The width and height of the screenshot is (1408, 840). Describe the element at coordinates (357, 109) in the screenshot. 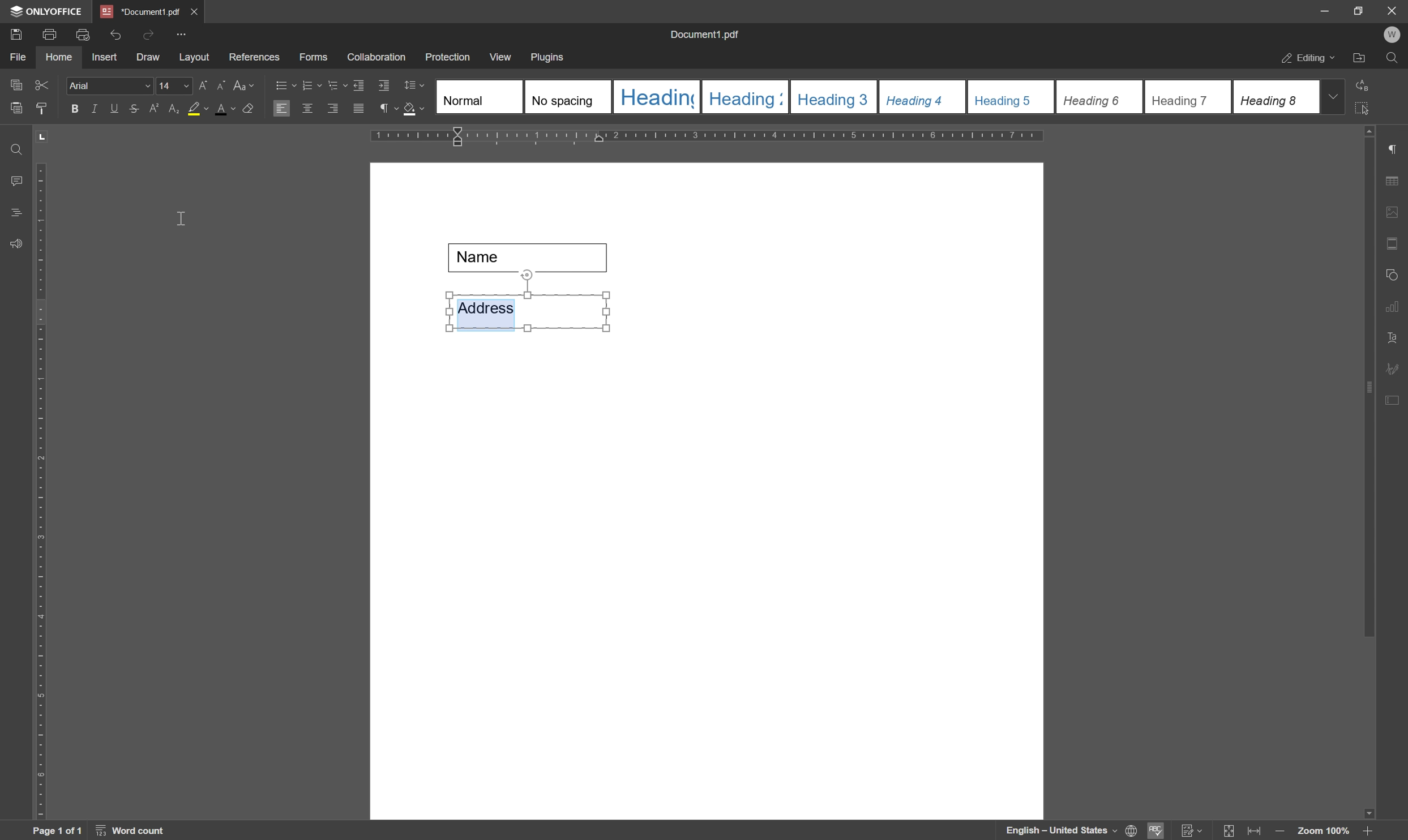

I see `justified` at that location.